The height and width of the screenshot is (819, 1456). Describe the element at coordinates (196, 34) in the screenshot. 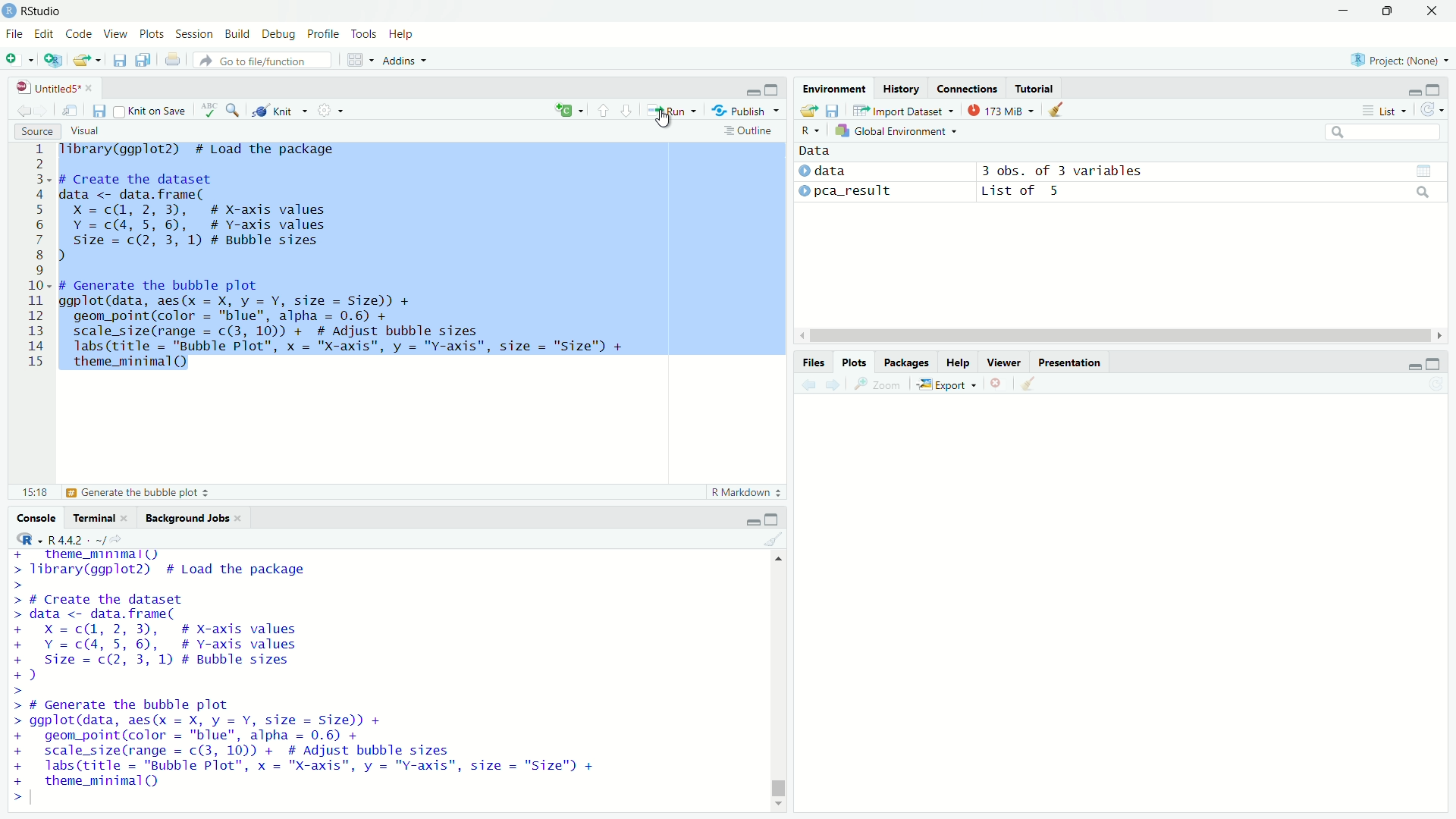

I see `Session` at that location.